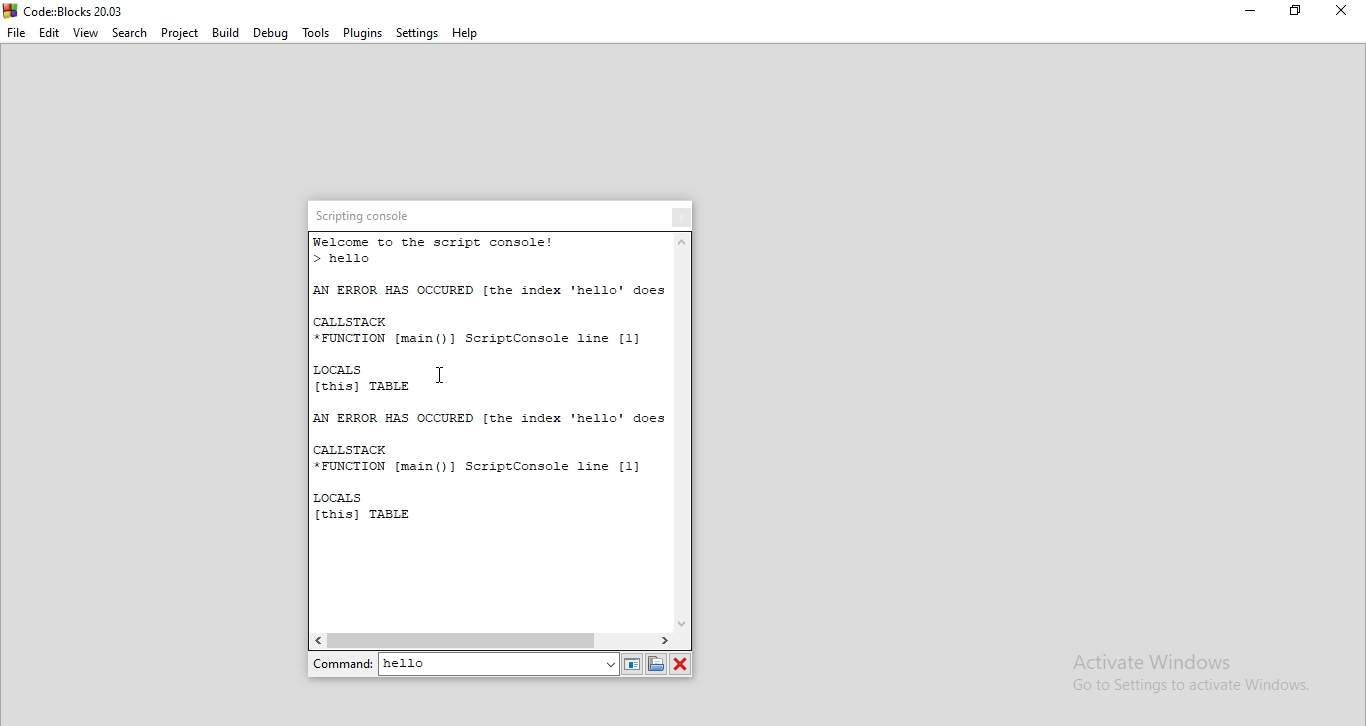 The height and width of the screenshot is (726, 1366). What do you see at coordinates (1341, 12) in the screenshot?
I see `close` at bounding box center [1341, 12].